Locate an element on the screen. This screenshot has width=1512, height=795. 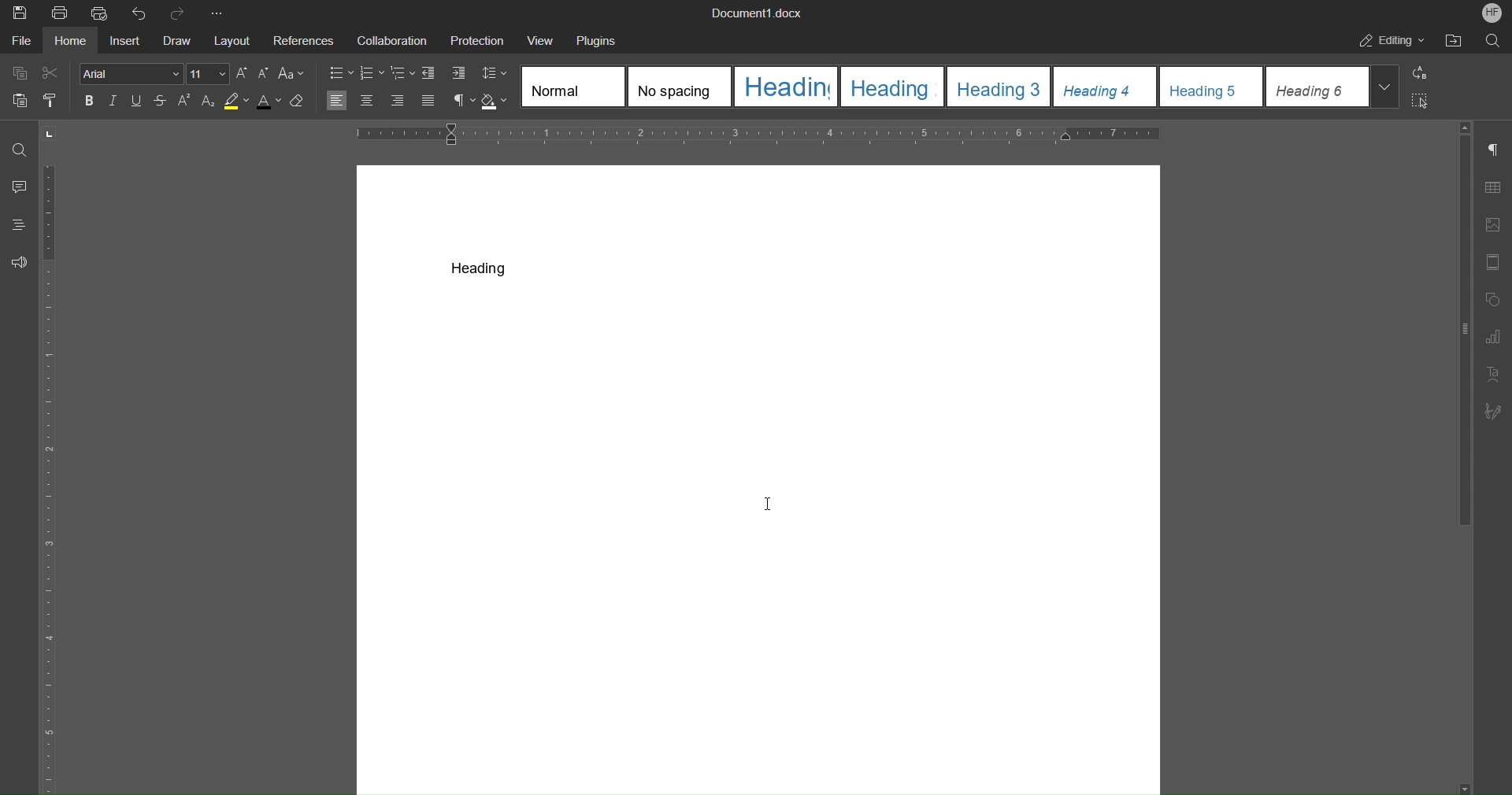
Paste is located at coordinates (18, 97).